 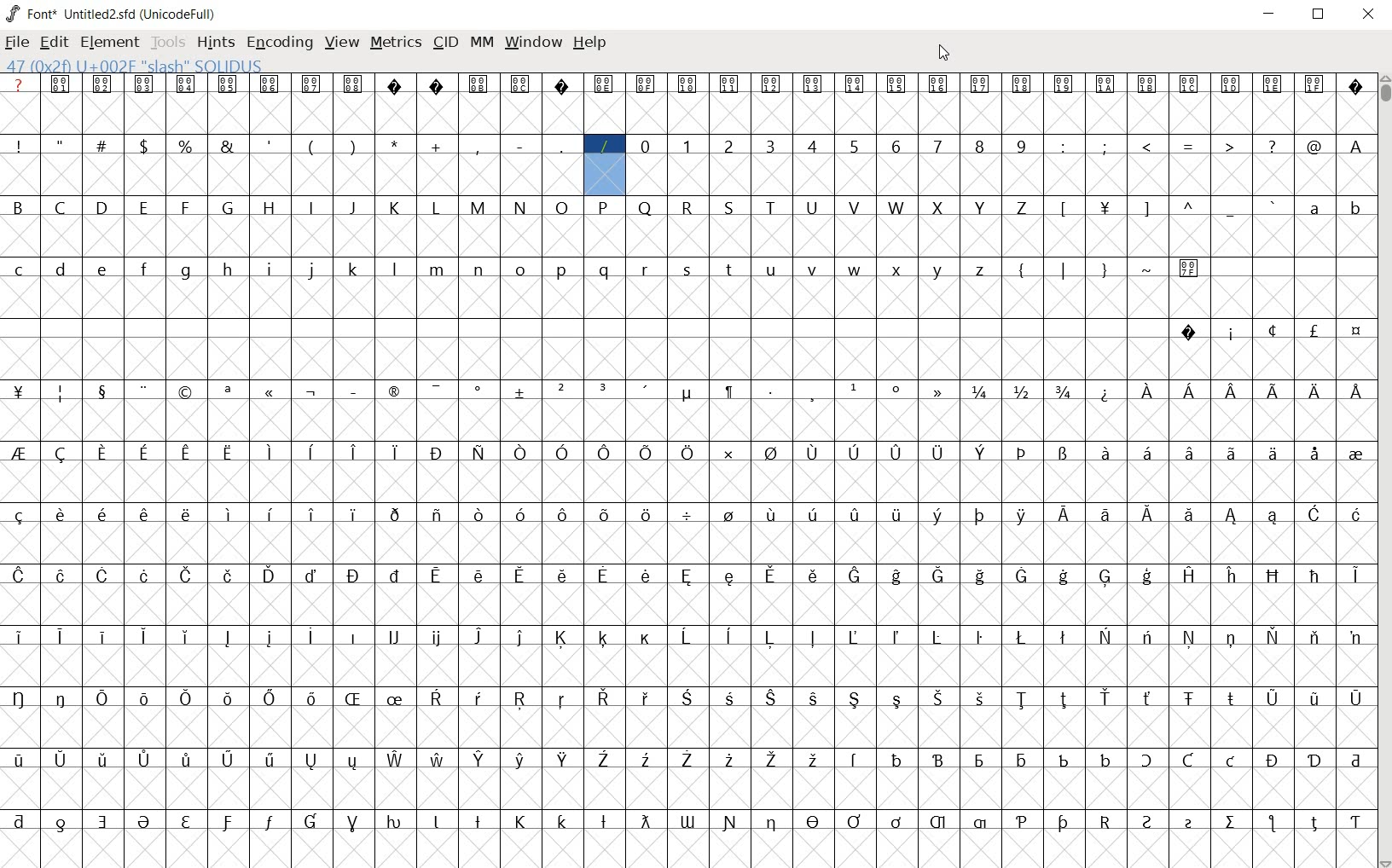 What do you see at coordinates (979, 146) in the screenshot?
I see `glyph` at bounding box center [979, 146].